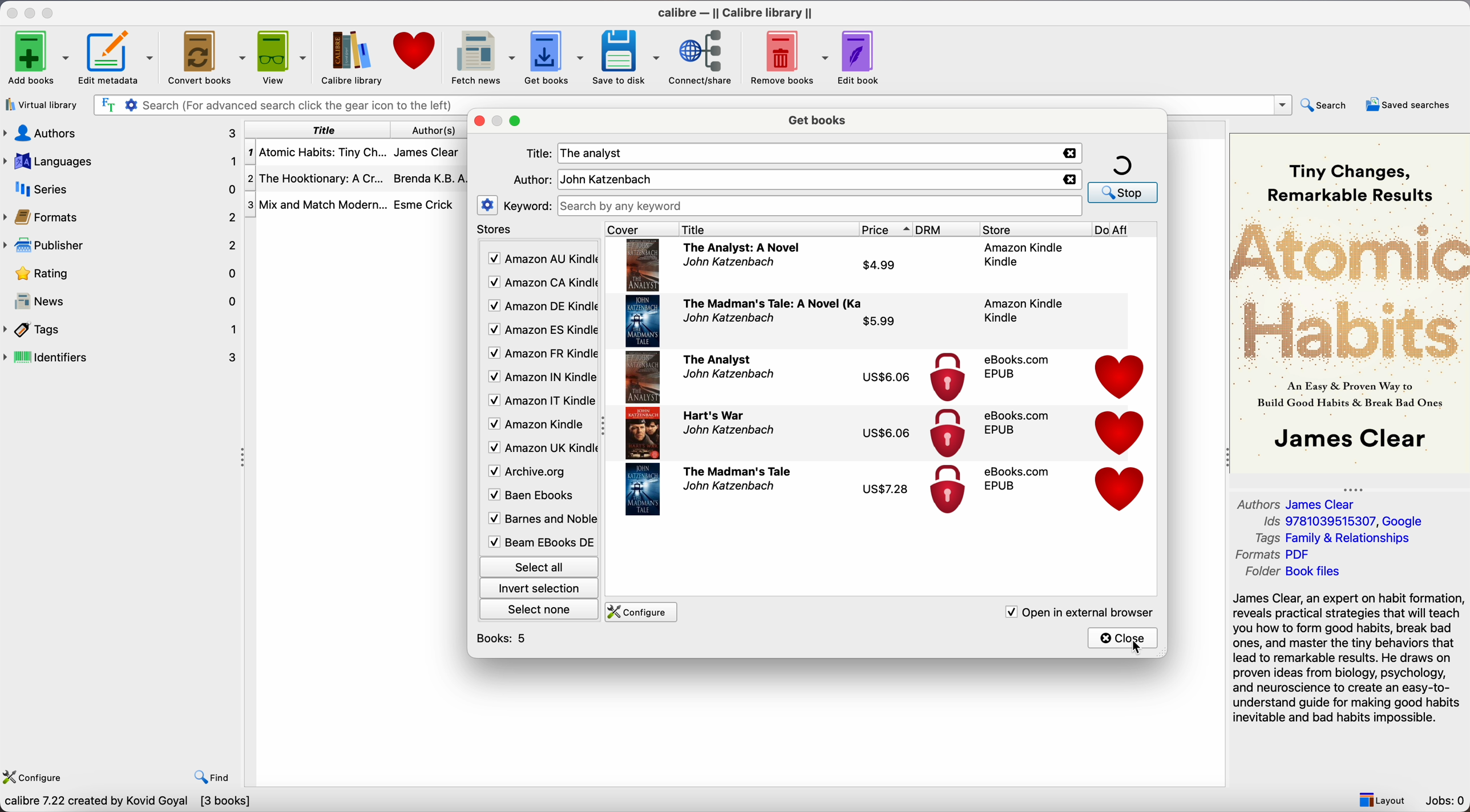  I want to click on title, so click(767, 229).